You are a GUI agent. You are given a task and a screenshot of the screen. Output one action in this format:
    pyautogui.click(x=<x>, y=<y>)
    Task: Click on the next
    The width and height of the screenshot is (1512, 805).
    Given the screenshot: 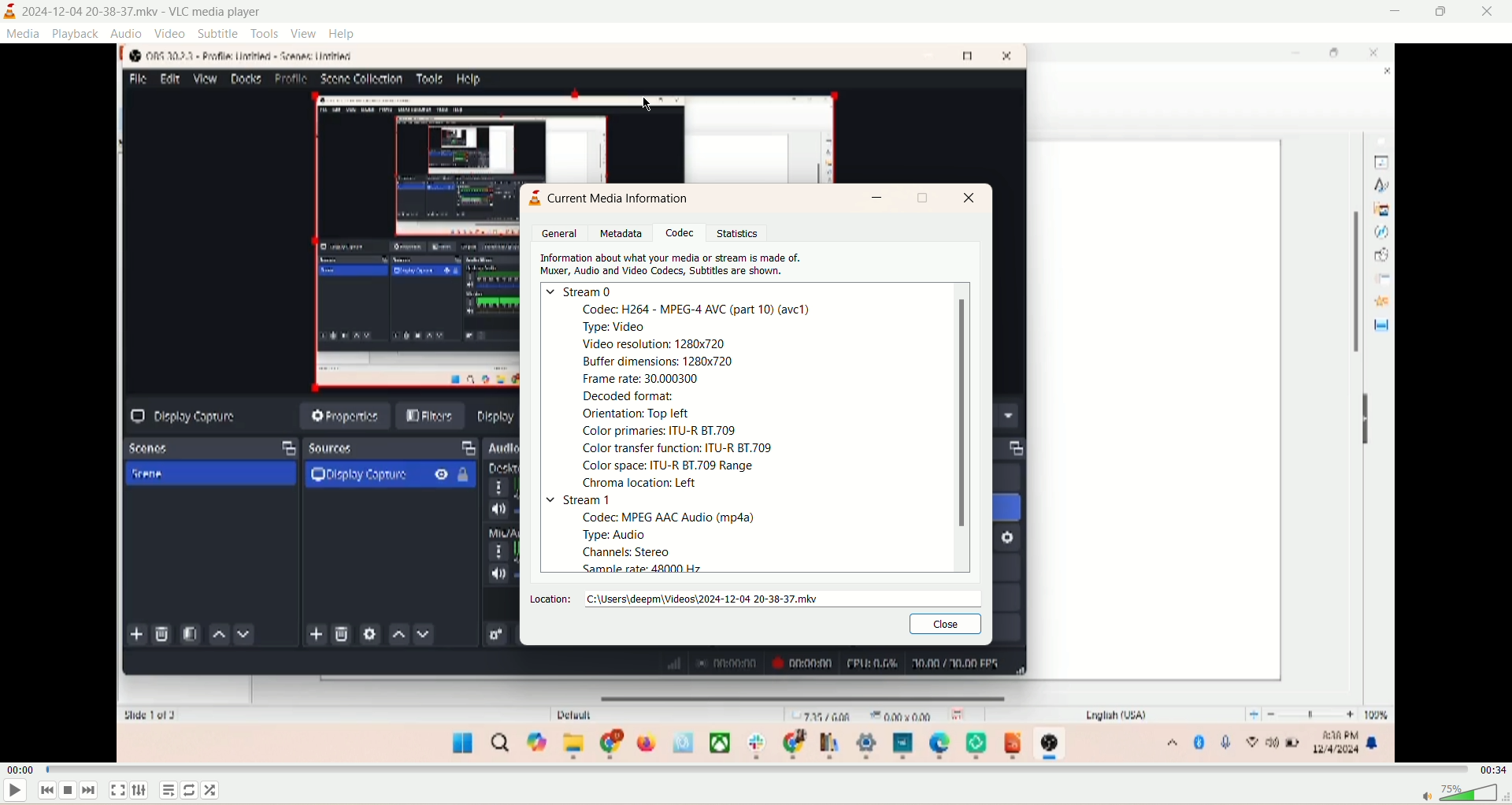 What is the action you would take?
    pyautogui.click(x=91, y=790)
    